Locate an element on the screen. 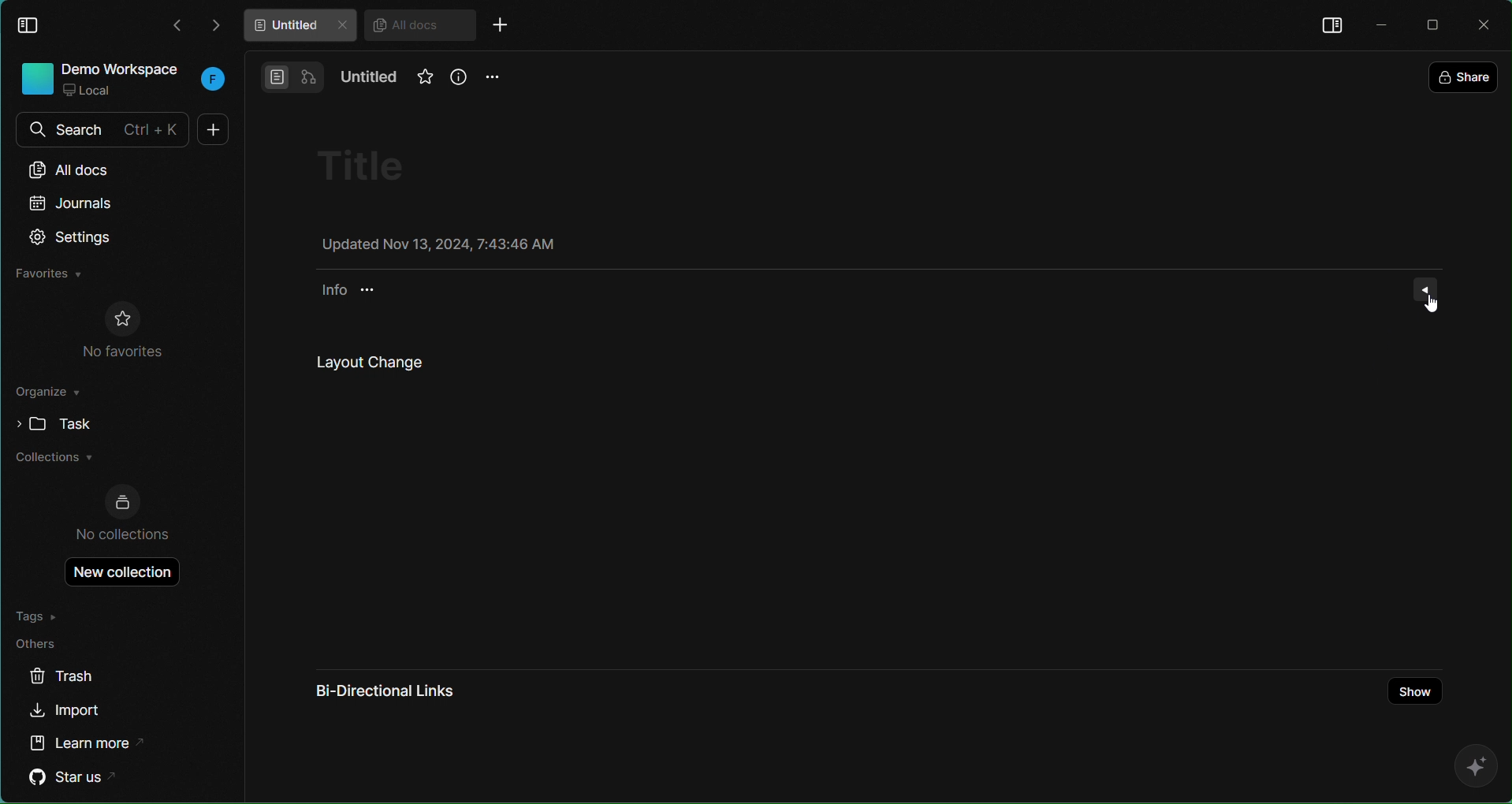 This screenshot has width=1512, height=804. button is located at coordinates (292, 75).